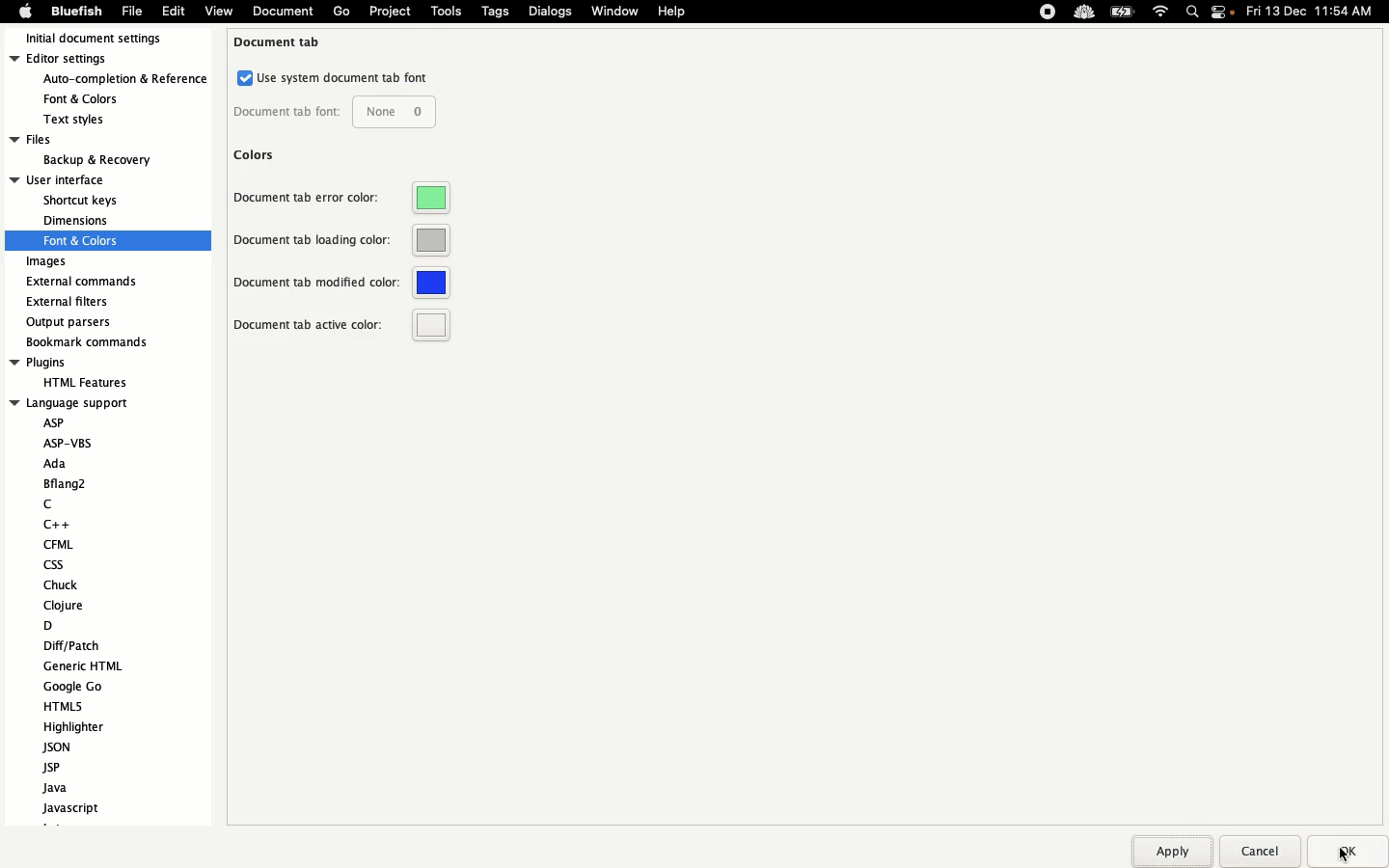  What do you see at coordinates (342, 283) in the screenshot?
I see `Document tab modified color` at bounding box center [342, 283].